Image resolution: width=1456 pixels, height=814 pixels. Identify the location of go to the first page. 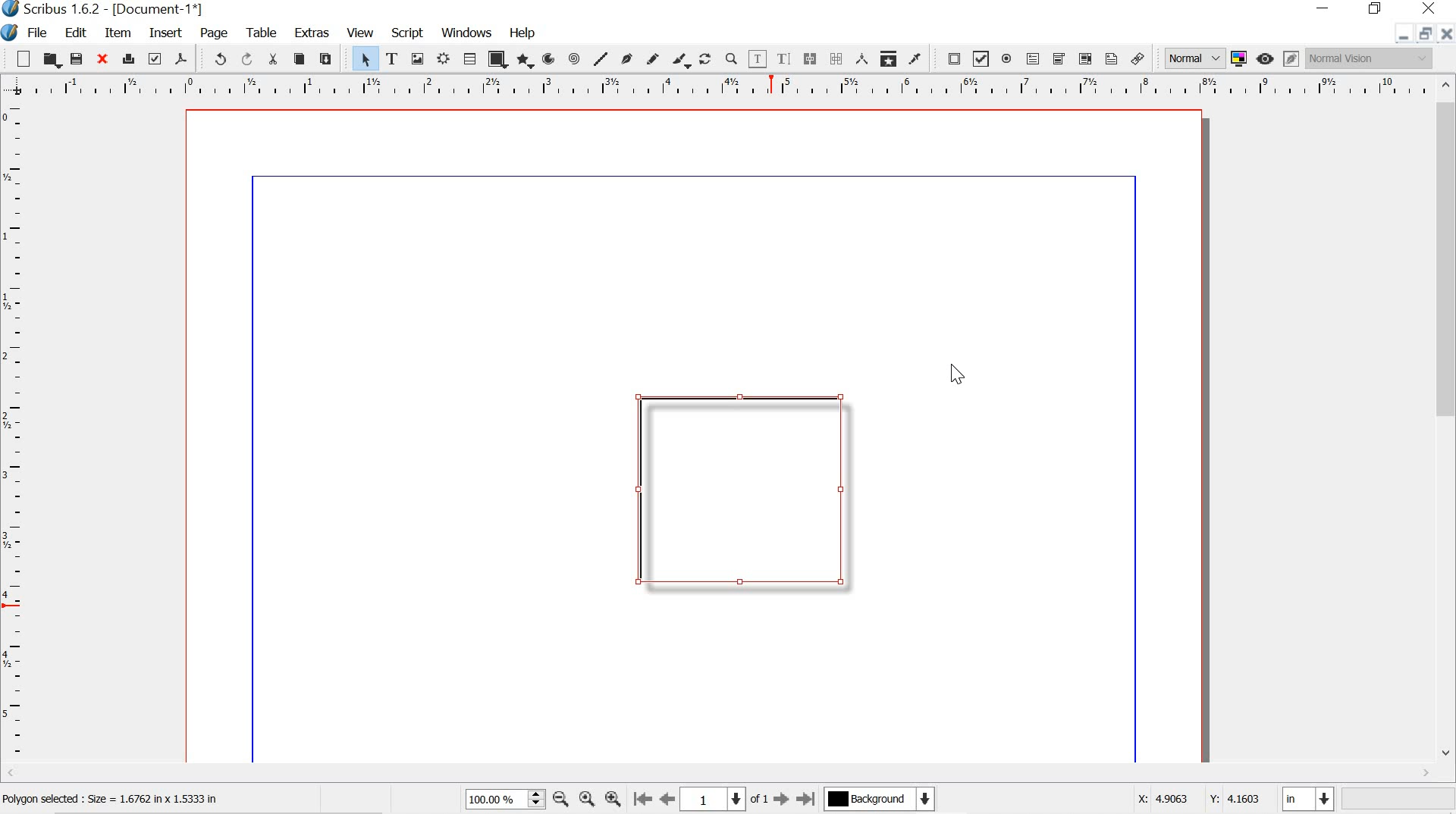
(643, 800).